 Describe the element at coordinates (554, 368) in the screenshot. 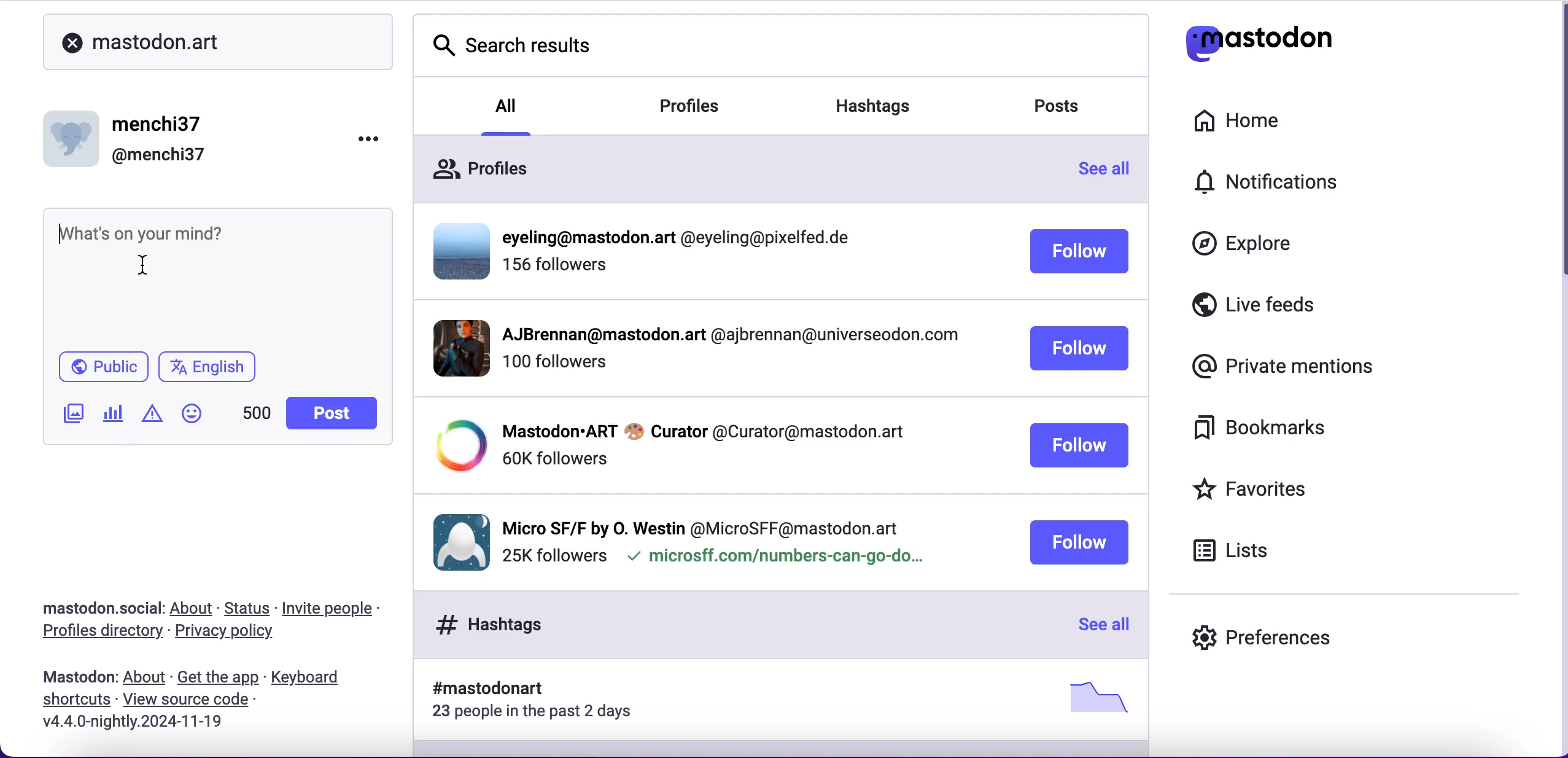

I see `followers` at that location.